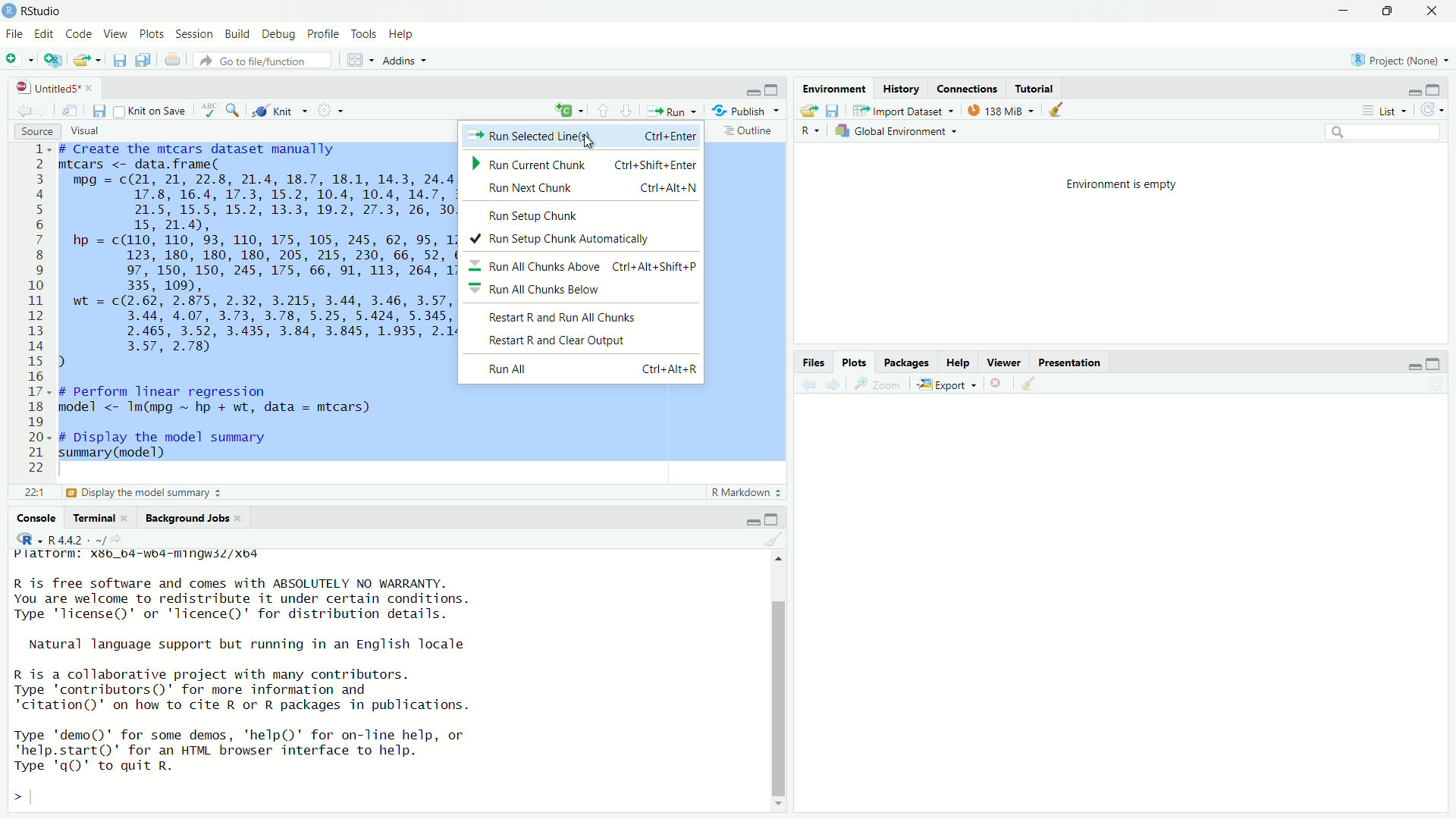  What do you see at coordinates (1434, 110) in the screenshot?
I see `refresh` at bounding box center [1434, 110].